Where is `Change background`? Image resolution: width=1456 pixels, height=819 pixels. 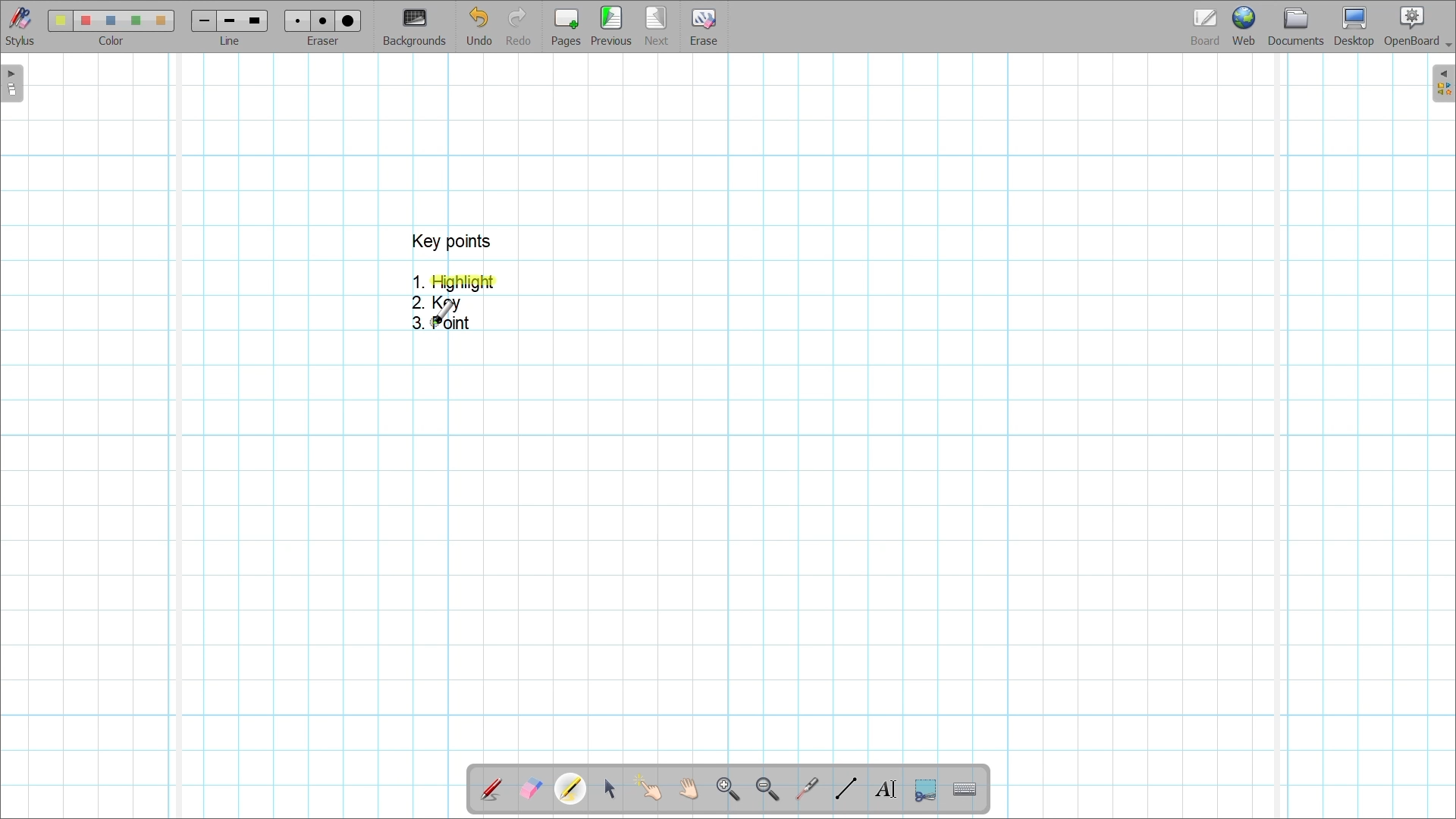 Change background is located at coordinates (414, 27).